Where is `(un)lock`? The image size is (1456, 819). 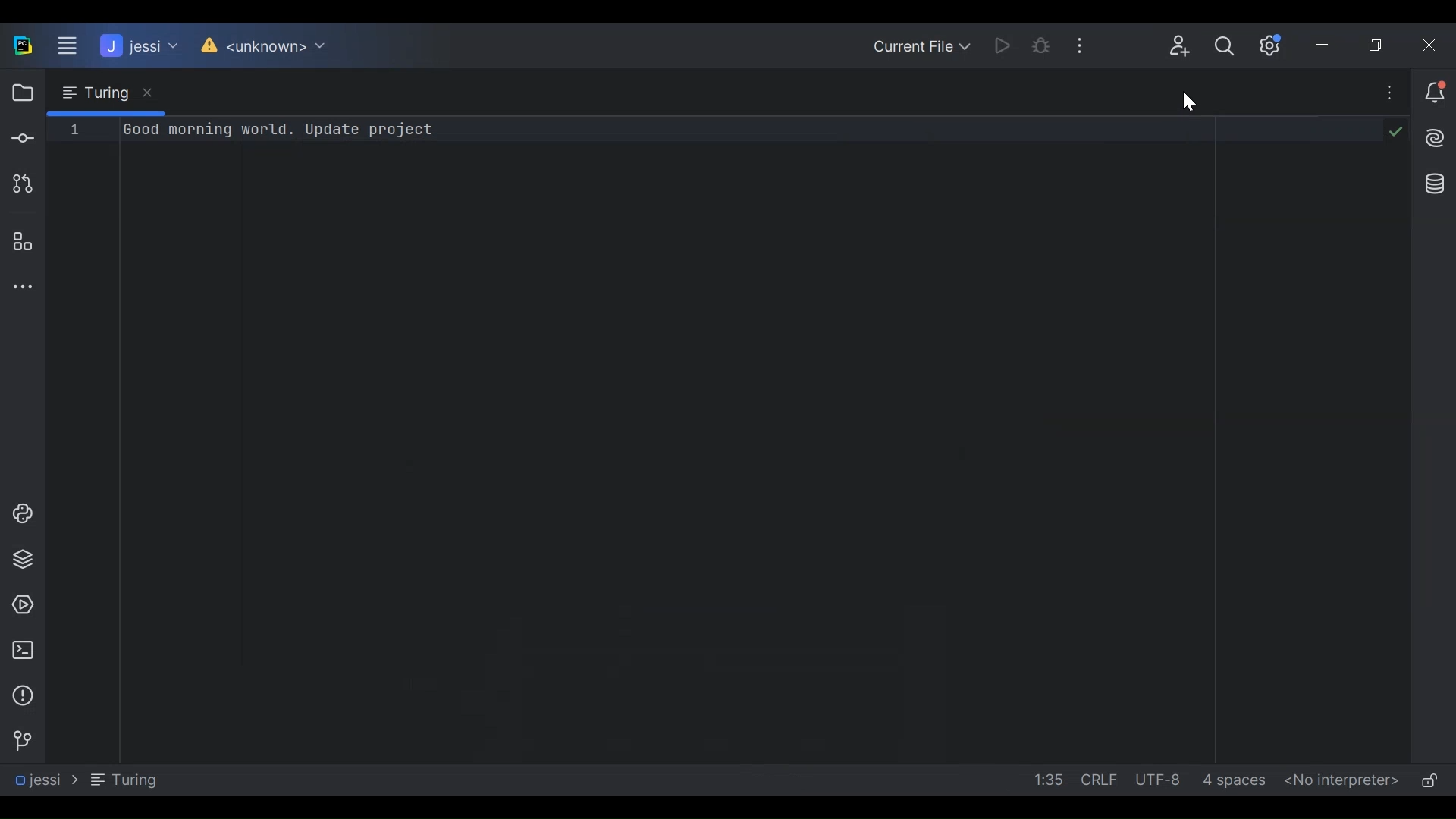
(un)lock is located at coordinates (1432, 783).